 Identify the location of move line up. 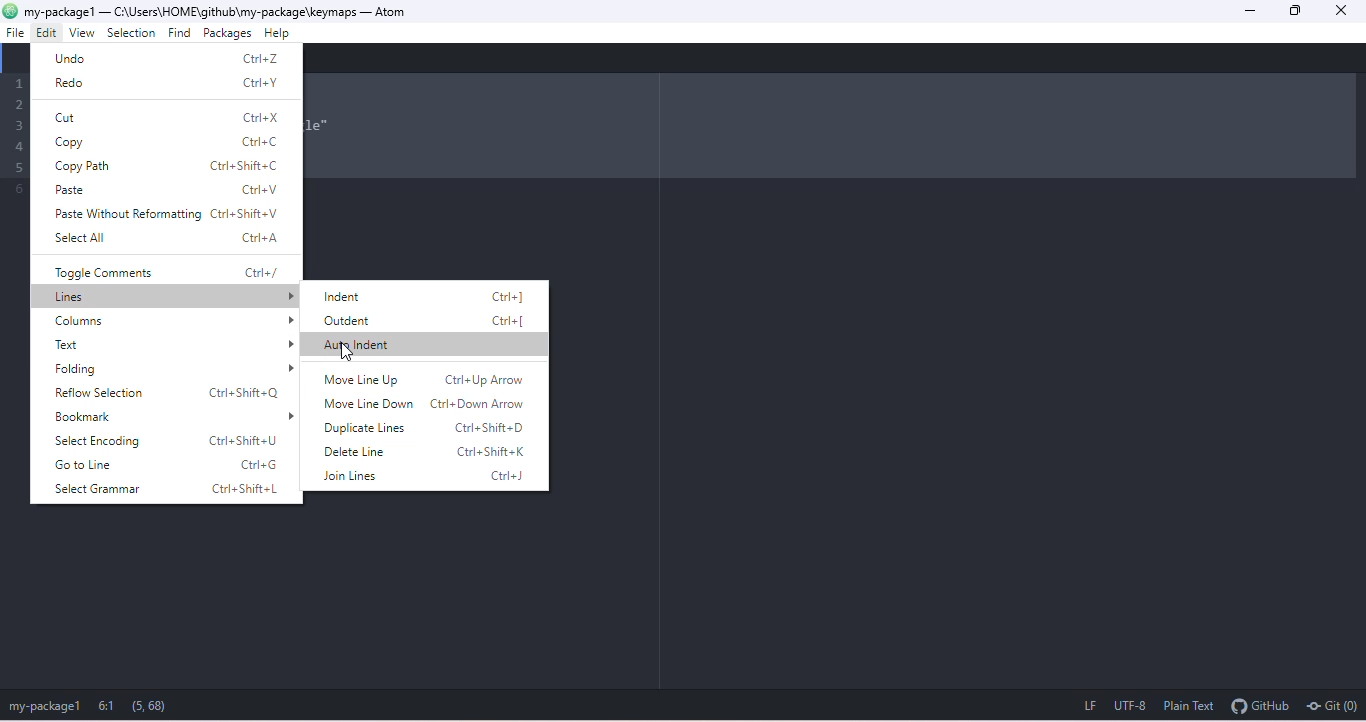
(431, 376).